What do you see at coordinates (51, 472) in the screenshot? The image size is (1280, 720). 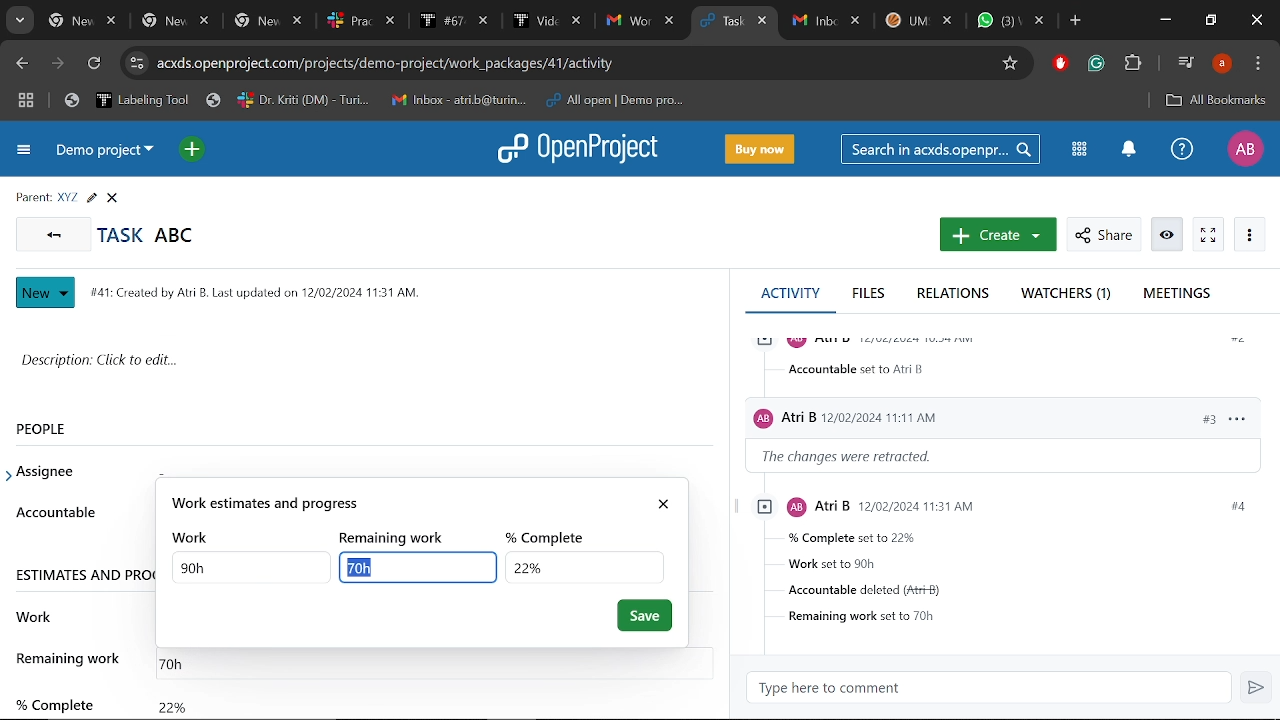 I see `assignee` at bounding box center [51, 472].